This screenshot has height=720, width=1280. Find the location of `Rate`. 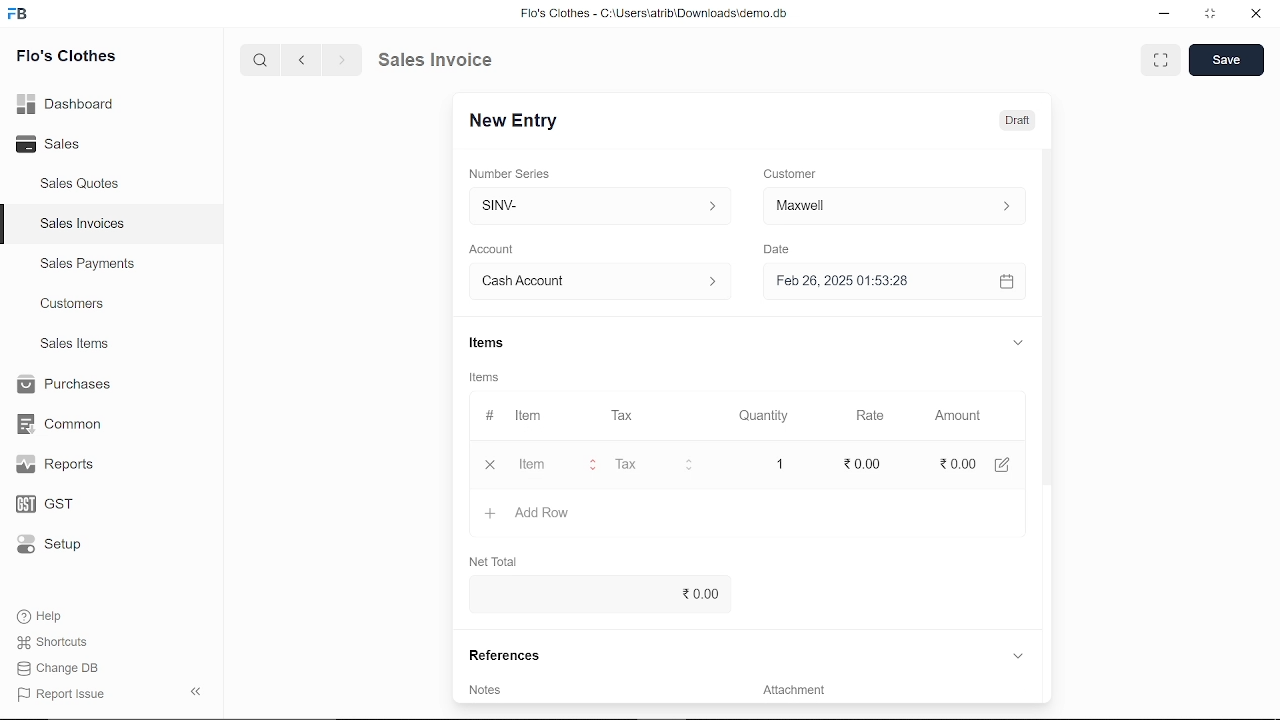

Rate is located at coordinates (863, 416).